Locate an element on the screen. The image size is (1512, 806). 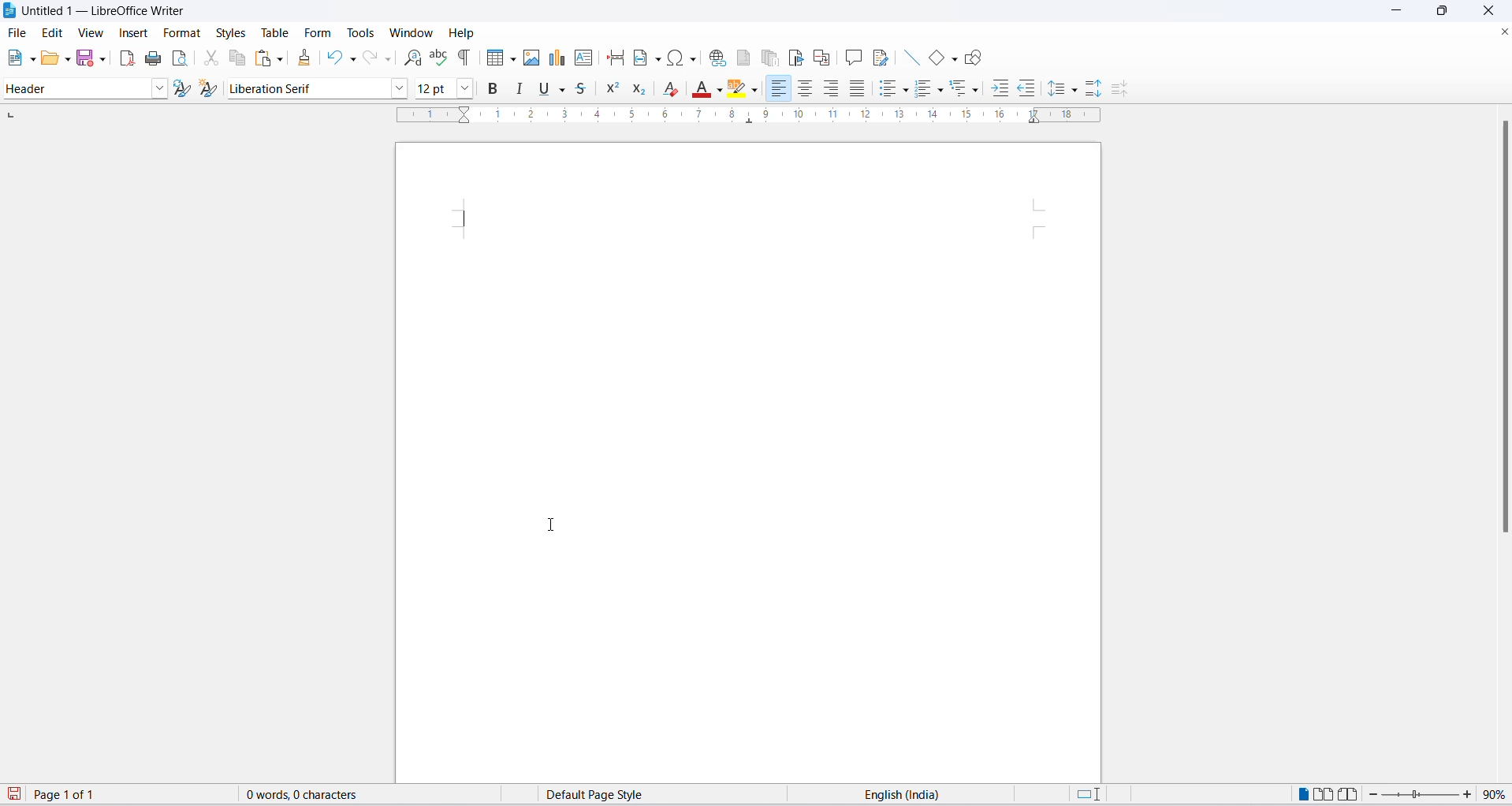
insert hyperlink is located at coordinates (716, 59).